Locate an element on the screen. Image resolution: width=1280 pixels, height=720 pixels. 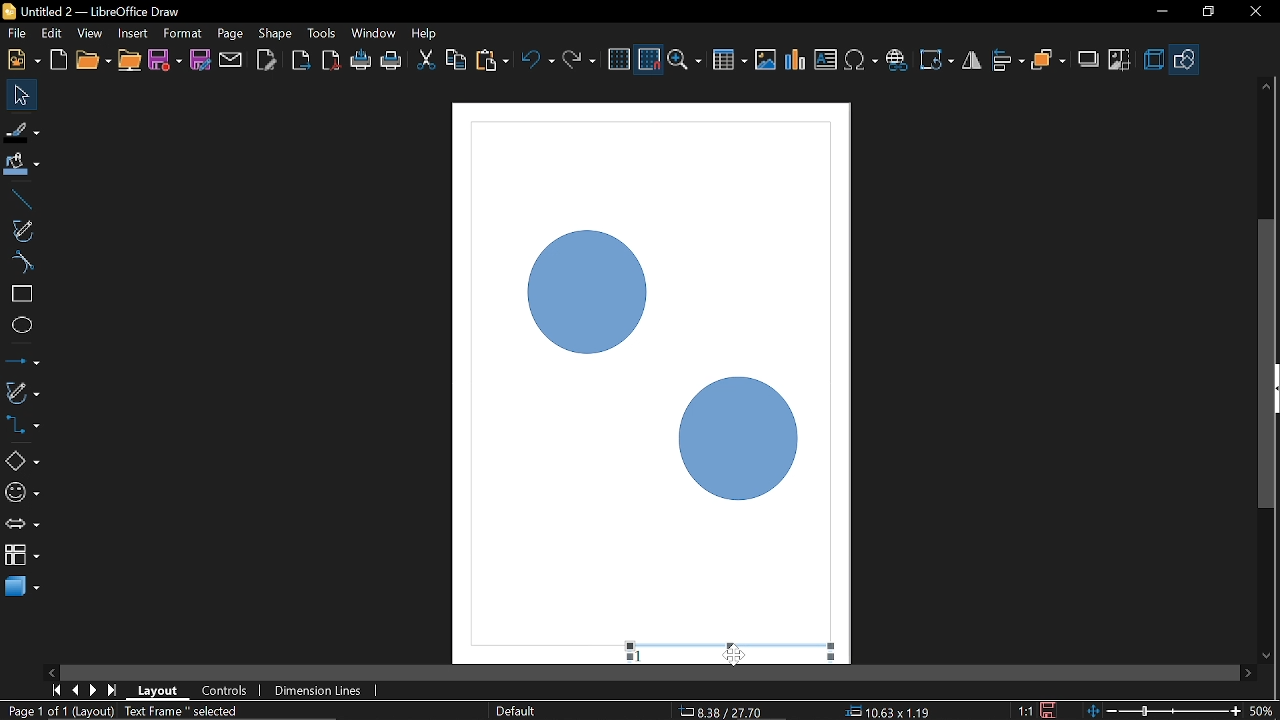
Image is located at coordinates (765, 59).